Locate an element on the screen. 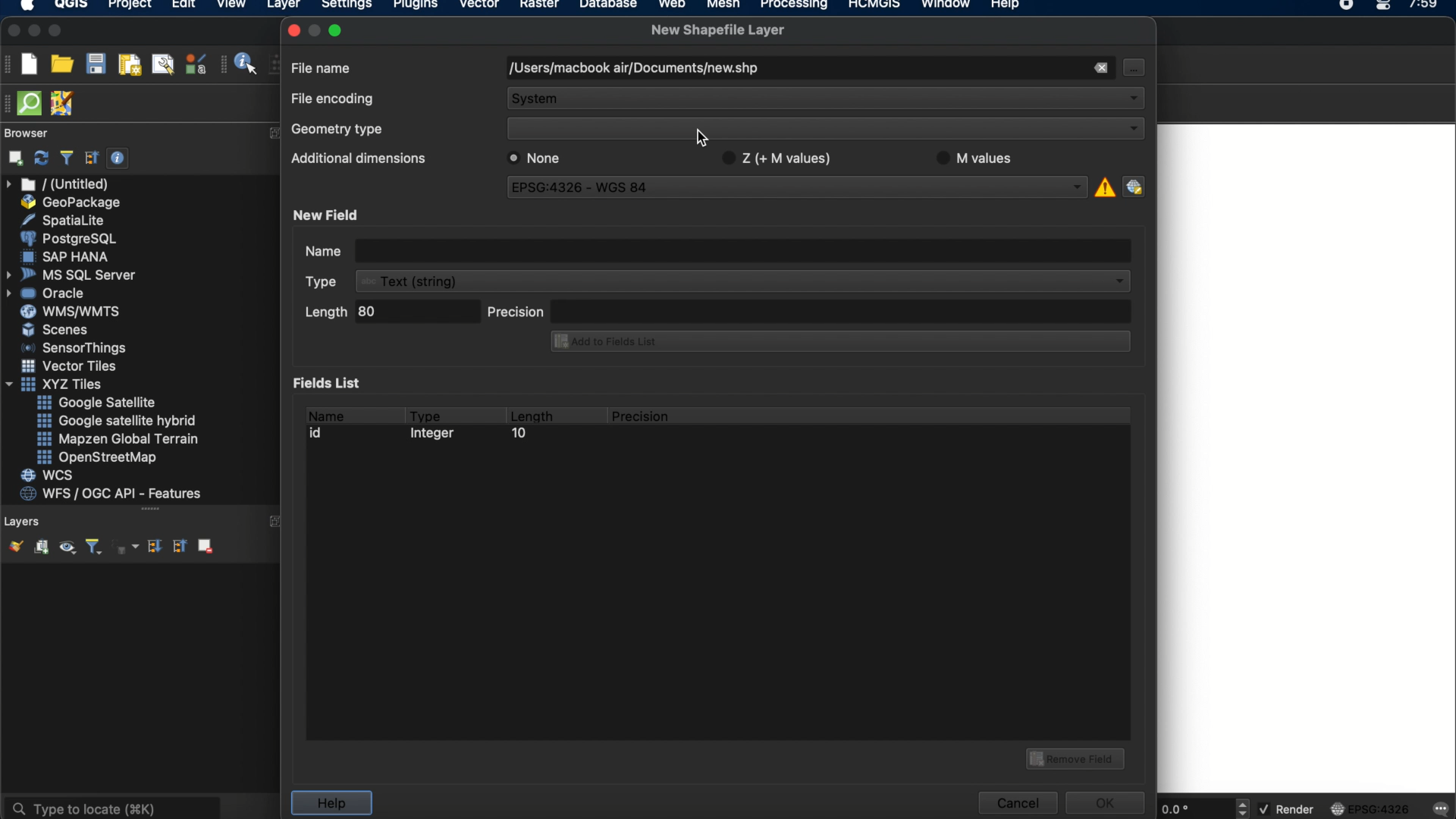 Image resolution: width=1456 pixels, height=819 pixels. Z (+M values is located at coordinates (775, 158).